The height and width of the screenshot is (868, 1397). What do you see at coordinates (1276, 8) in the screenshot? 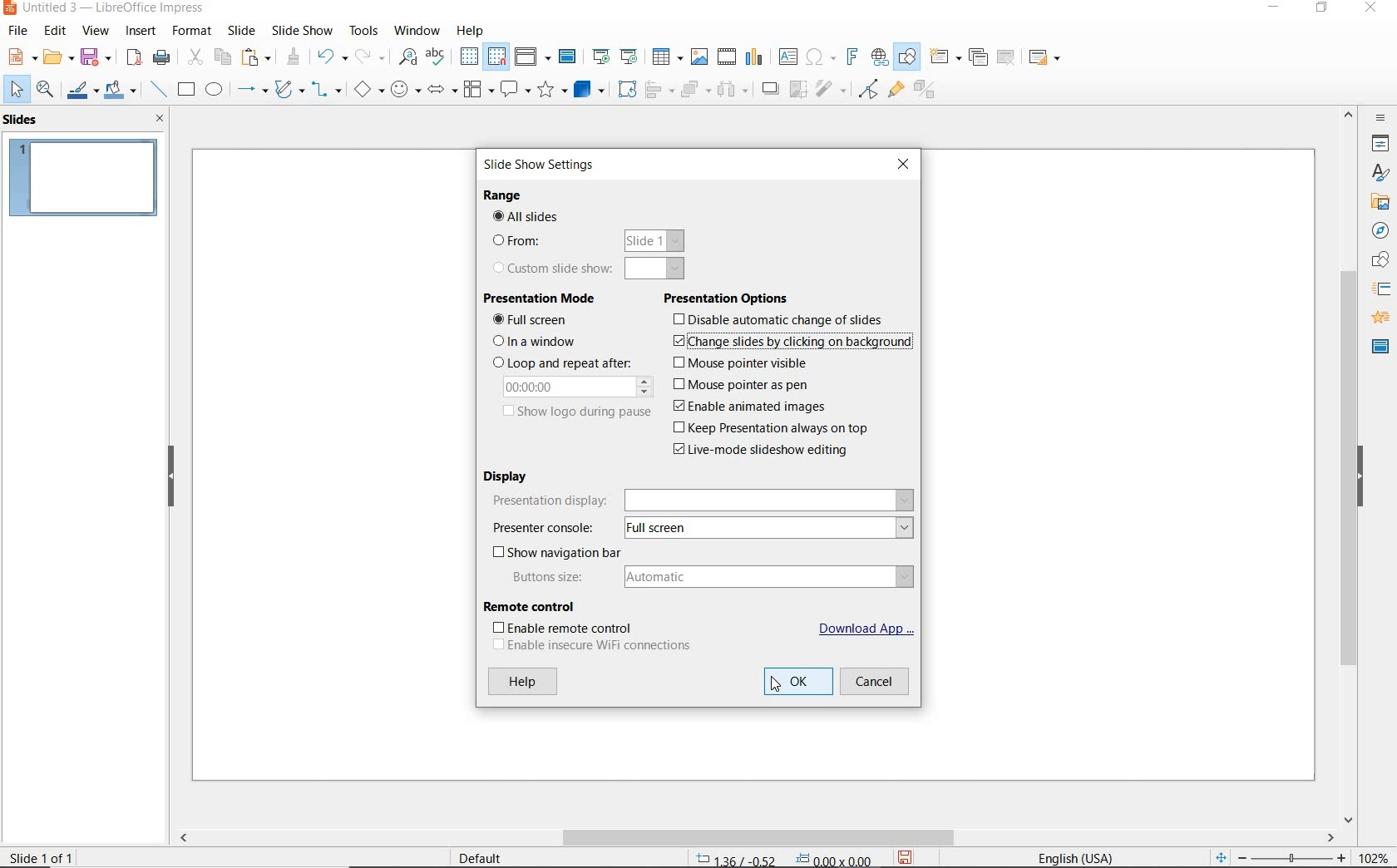
I see `MINIMIZE` at bounding box center [1276, 8].